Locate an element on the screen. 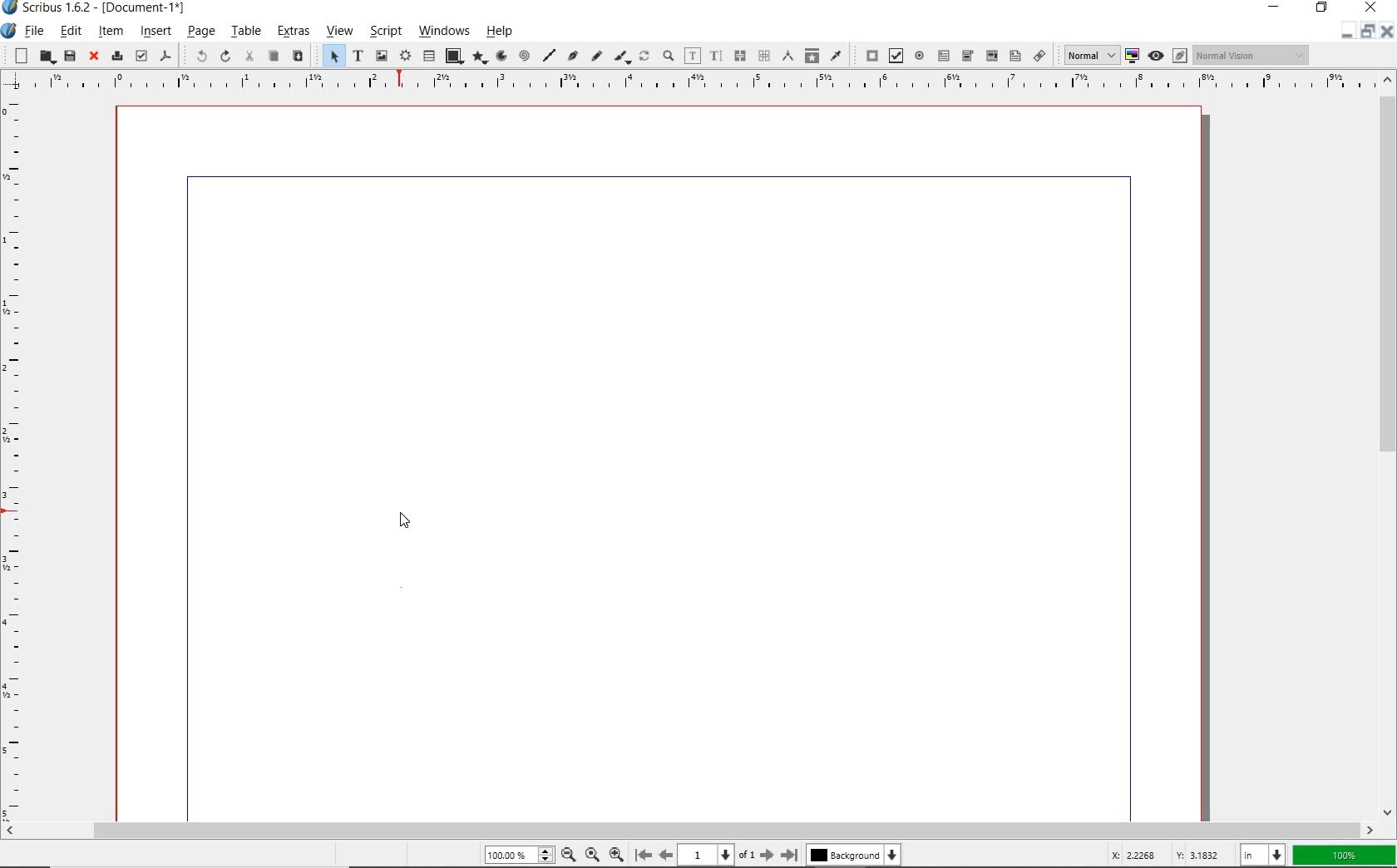  calligraphic line is located at coordinates (622, 57).